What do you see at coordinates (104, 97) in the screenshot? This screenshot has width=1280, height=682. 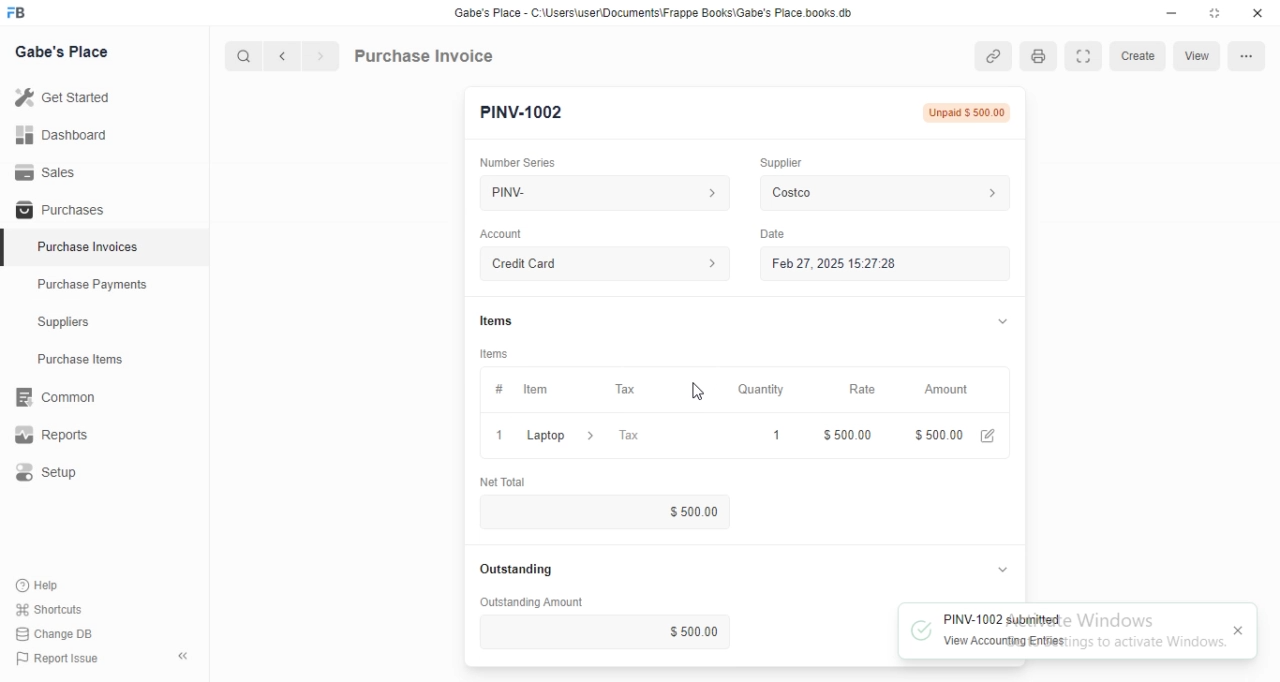 I see `Get Started` at bounding box center [104, 97].